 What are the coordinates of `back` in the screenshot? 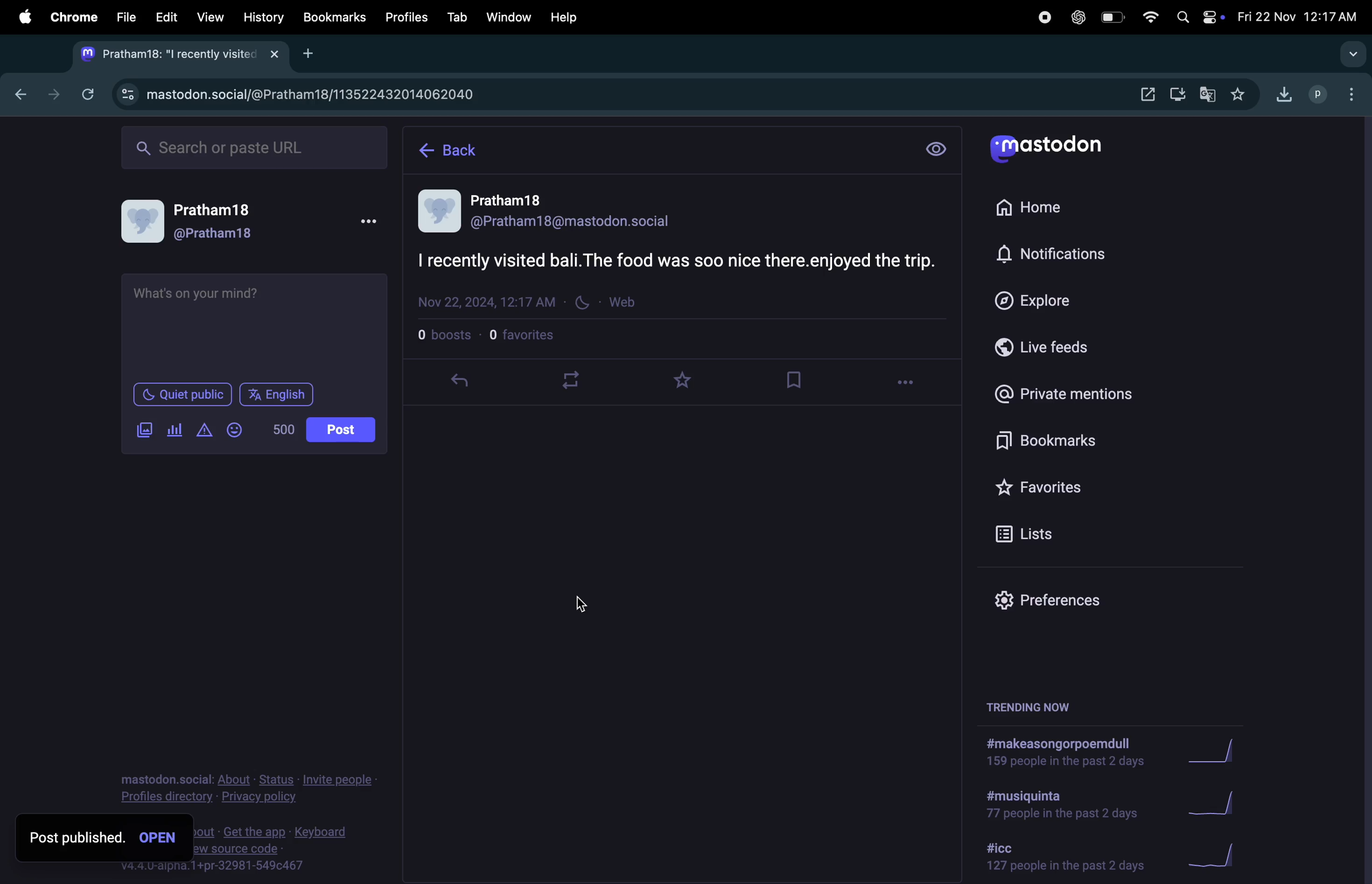 It's located at (452, 149).